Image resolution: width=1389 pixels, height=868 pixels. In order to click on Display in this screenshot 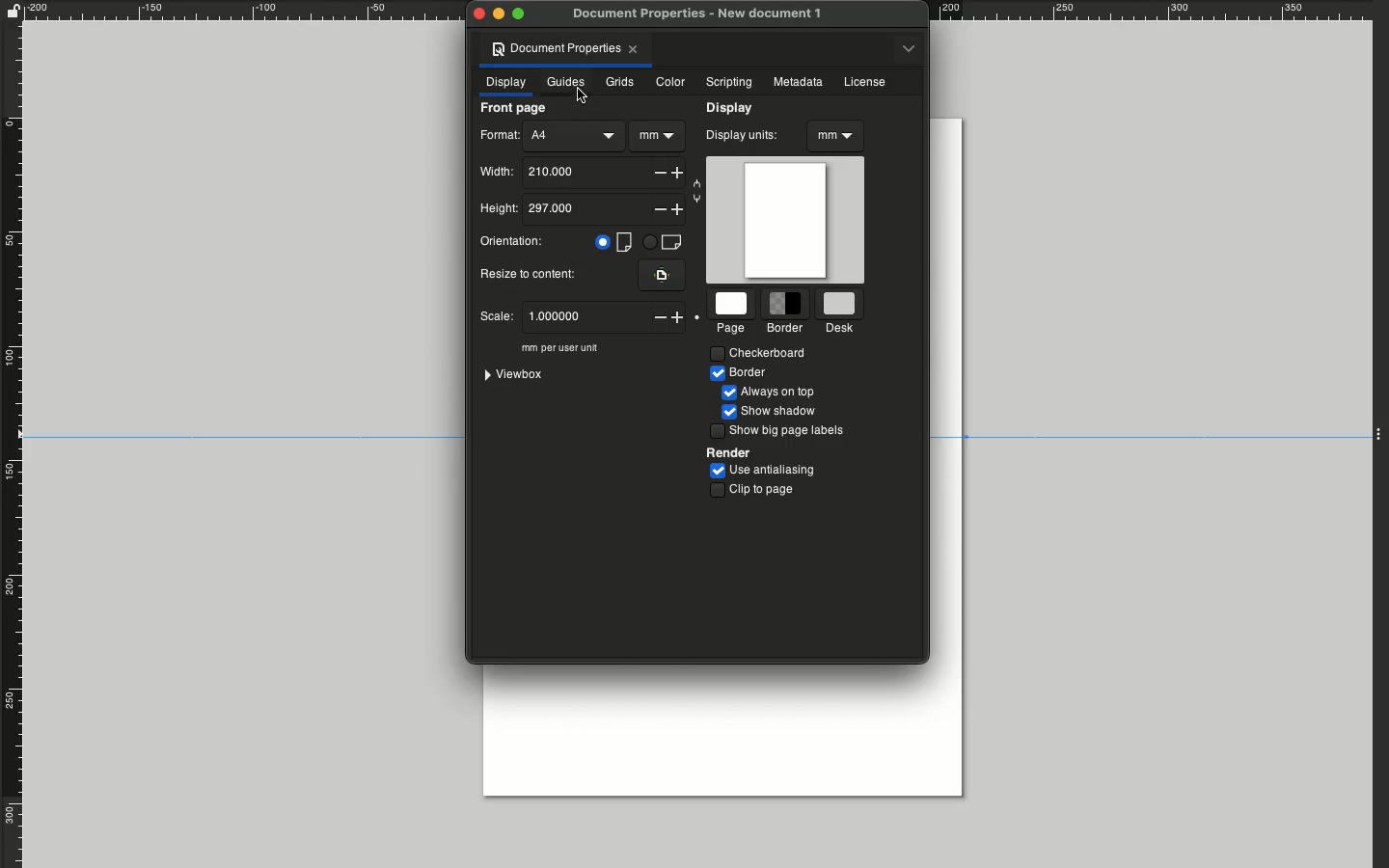, I will do `click(504, 84)`.